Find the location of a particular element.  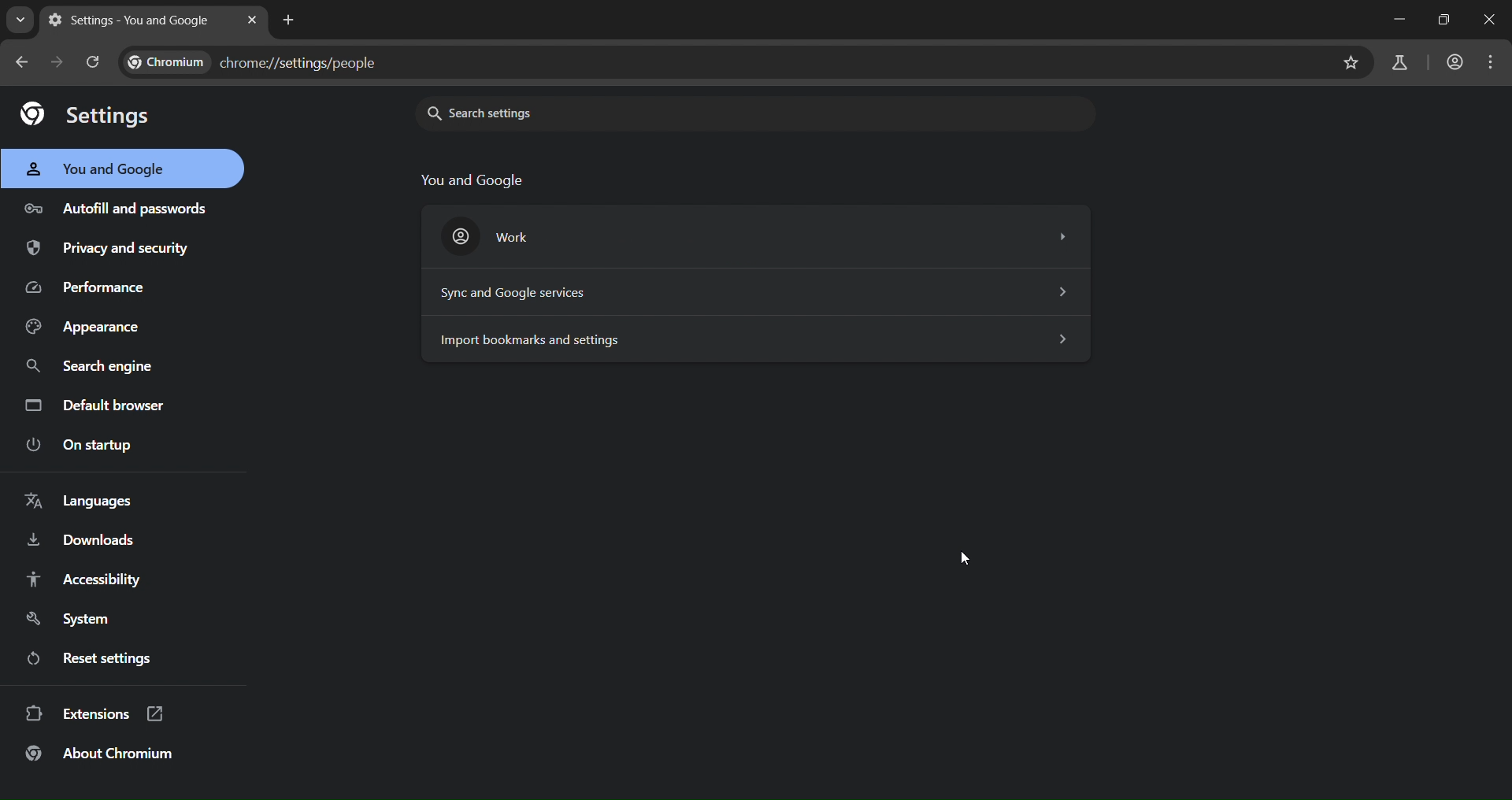

ystem is located at coordinates (75, 619).